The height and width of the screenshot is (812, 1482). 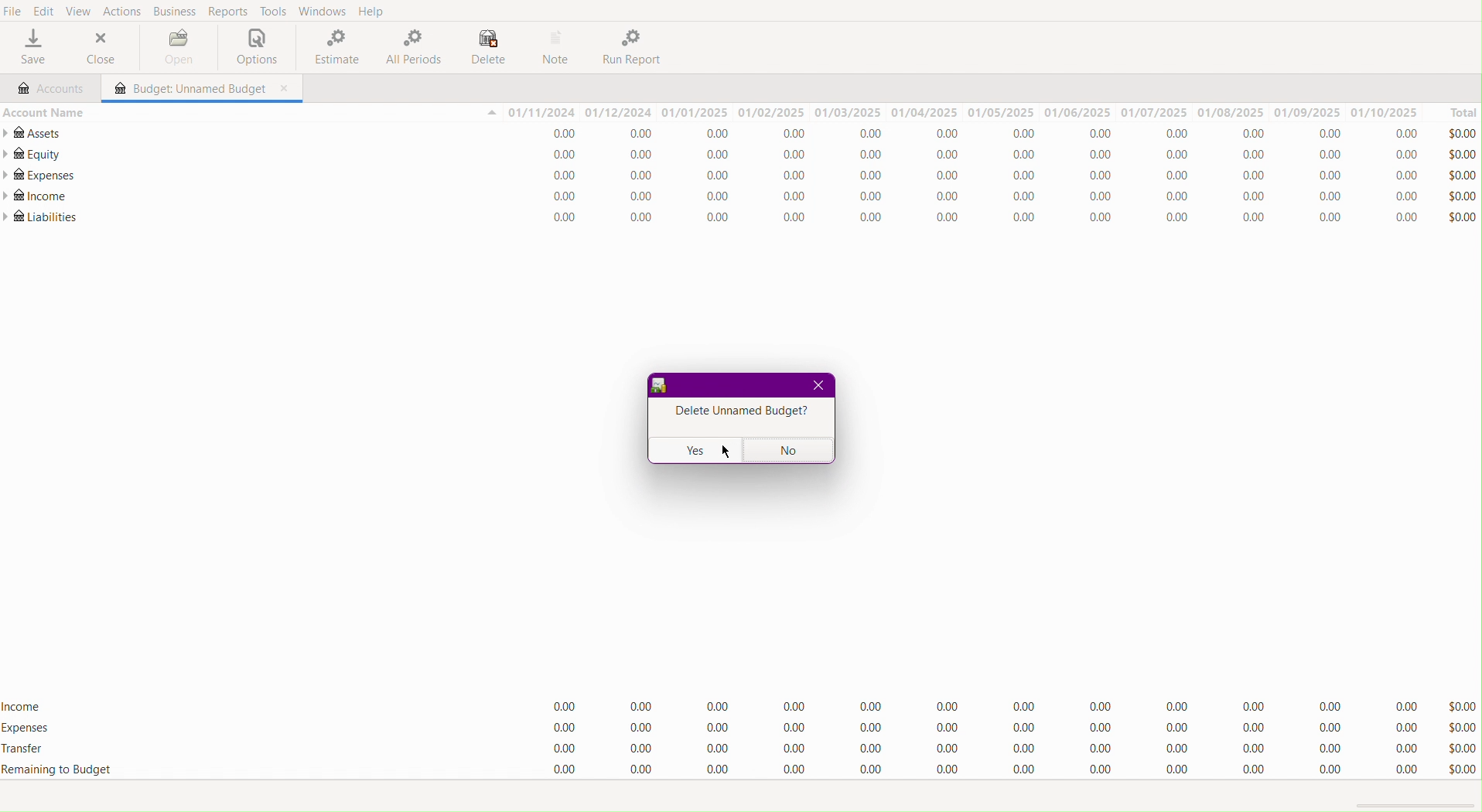 I want to click on View, so click(x=84, y=12).